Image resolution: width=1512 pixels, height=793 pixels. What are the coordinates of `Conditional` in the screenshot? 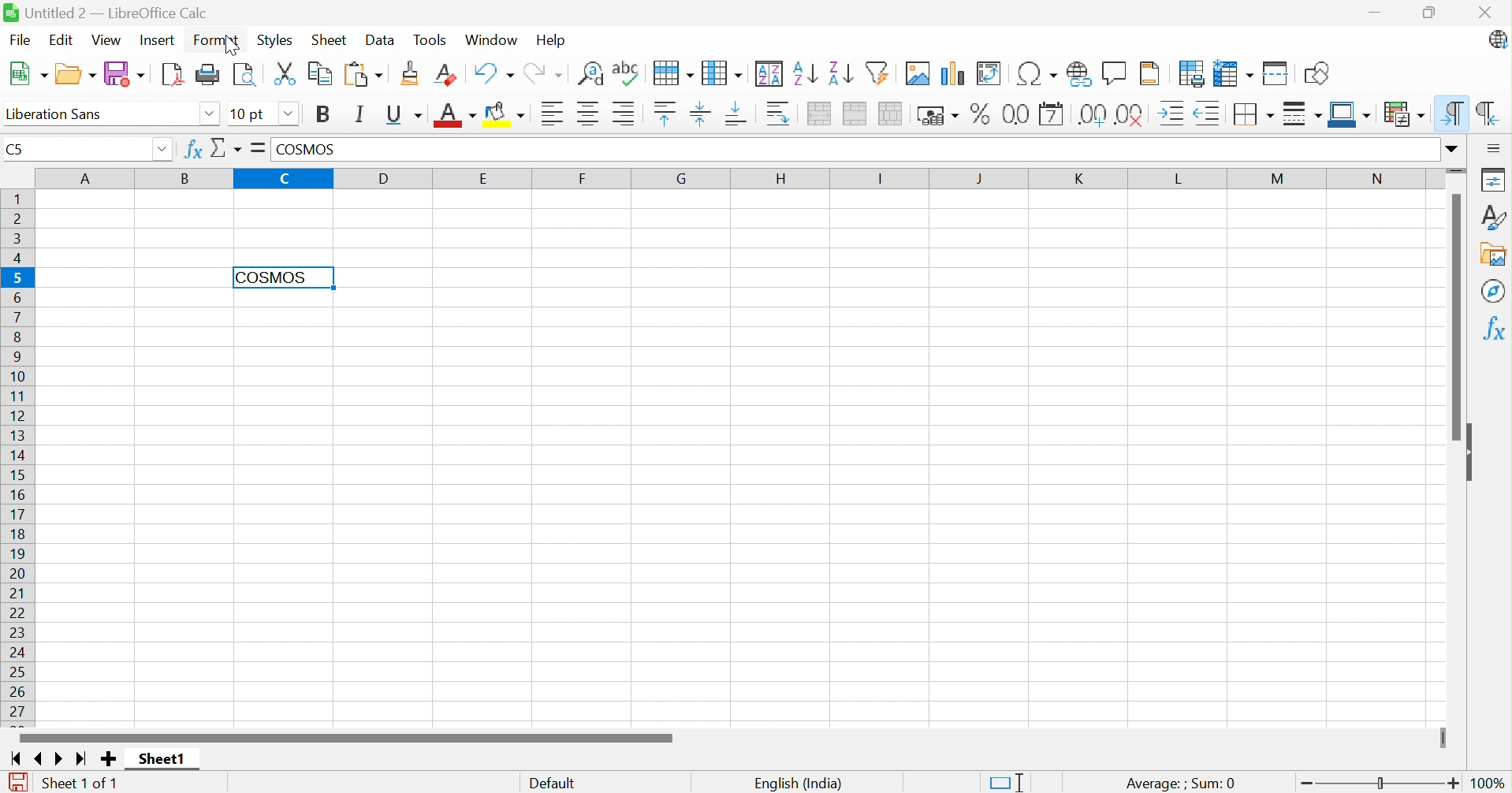 It's located at (1405, 114).